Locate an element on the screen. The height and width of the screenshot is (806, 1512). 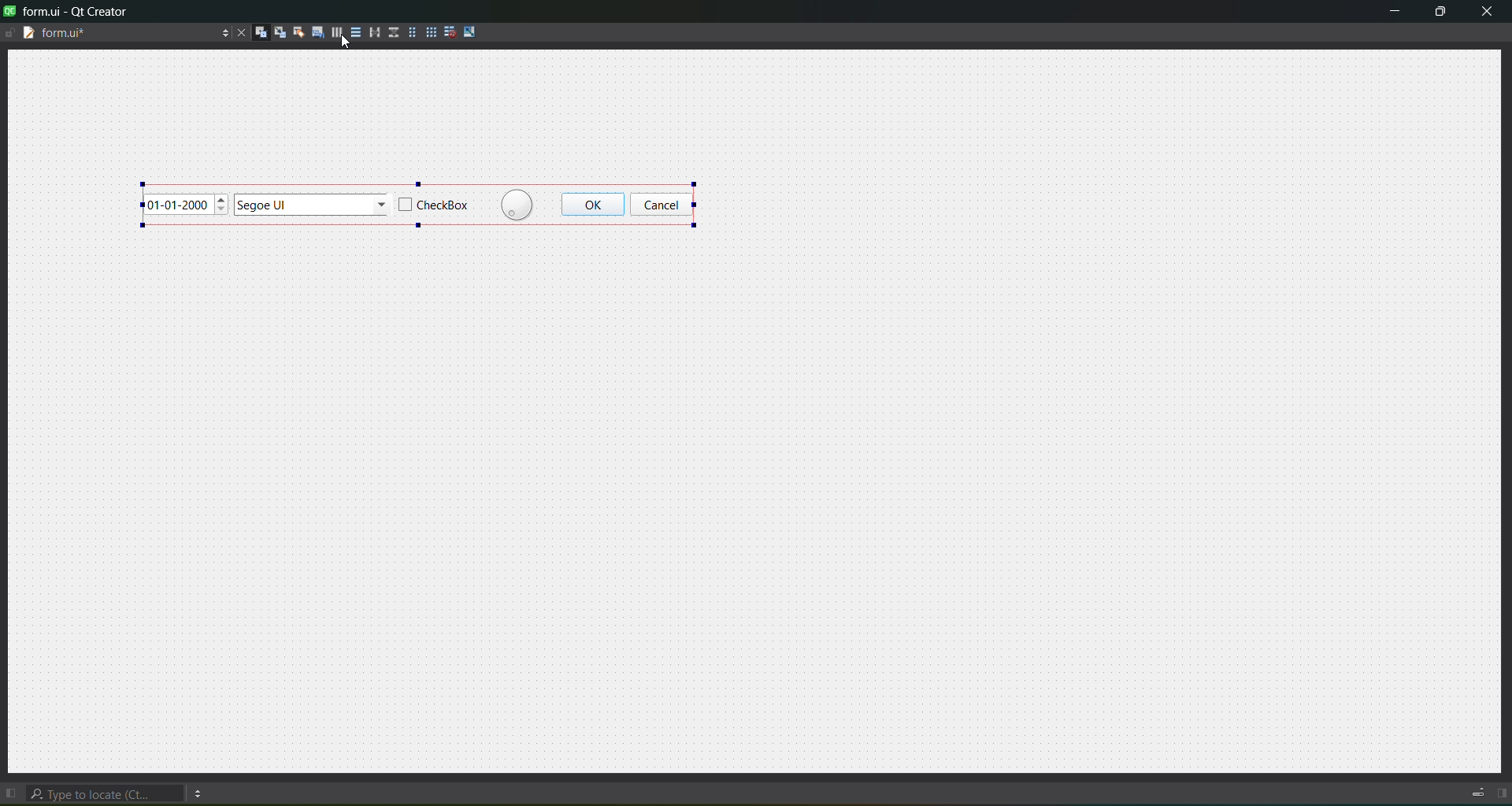
vertical splitter is located at coordinates (393, 33).